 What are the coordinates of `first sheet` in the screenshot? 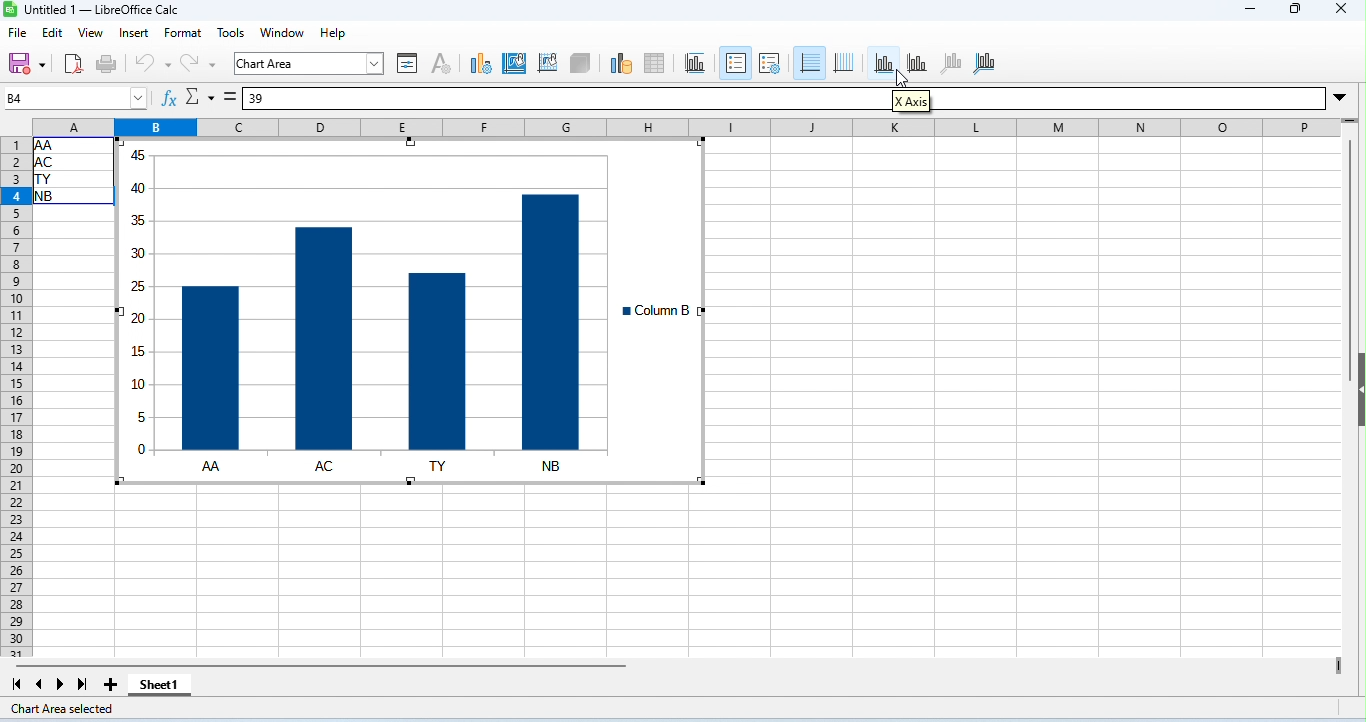 It's located at (19, 684).